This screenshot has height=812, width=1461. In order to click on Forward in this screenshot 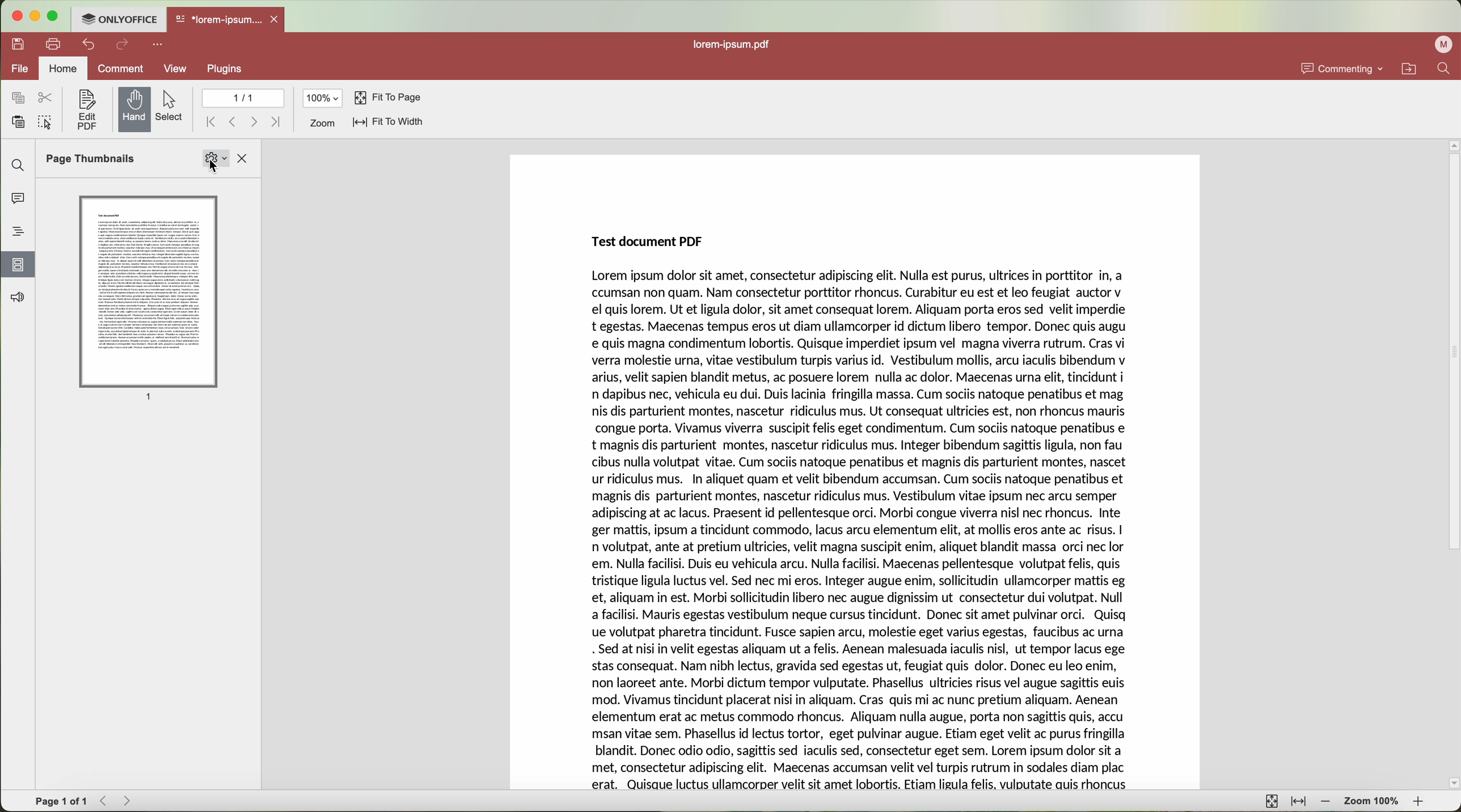, I will do `click(128, 801)`.